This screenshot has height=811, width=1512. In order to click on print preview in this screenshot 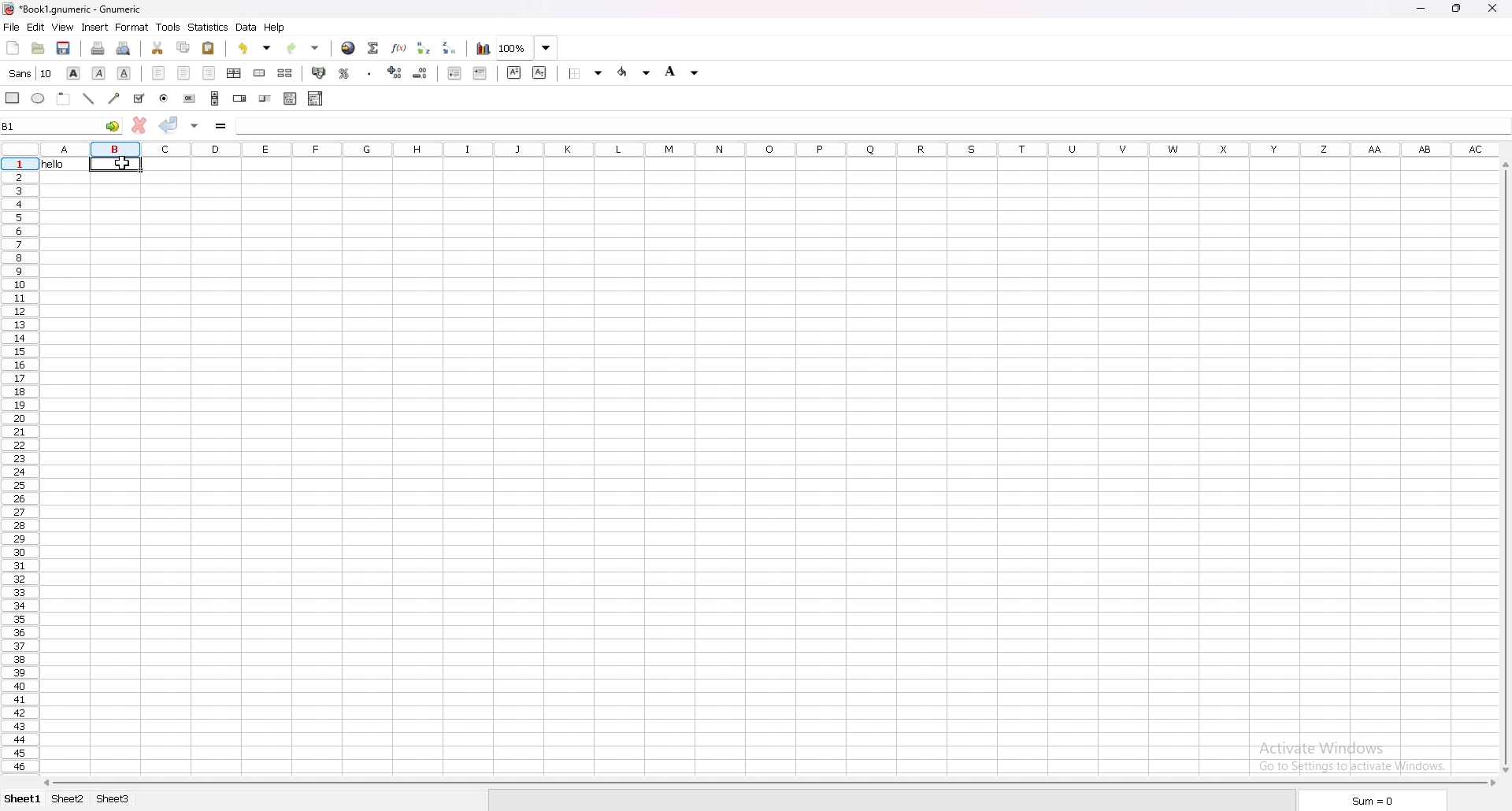, I will do `click(124, 48)`.